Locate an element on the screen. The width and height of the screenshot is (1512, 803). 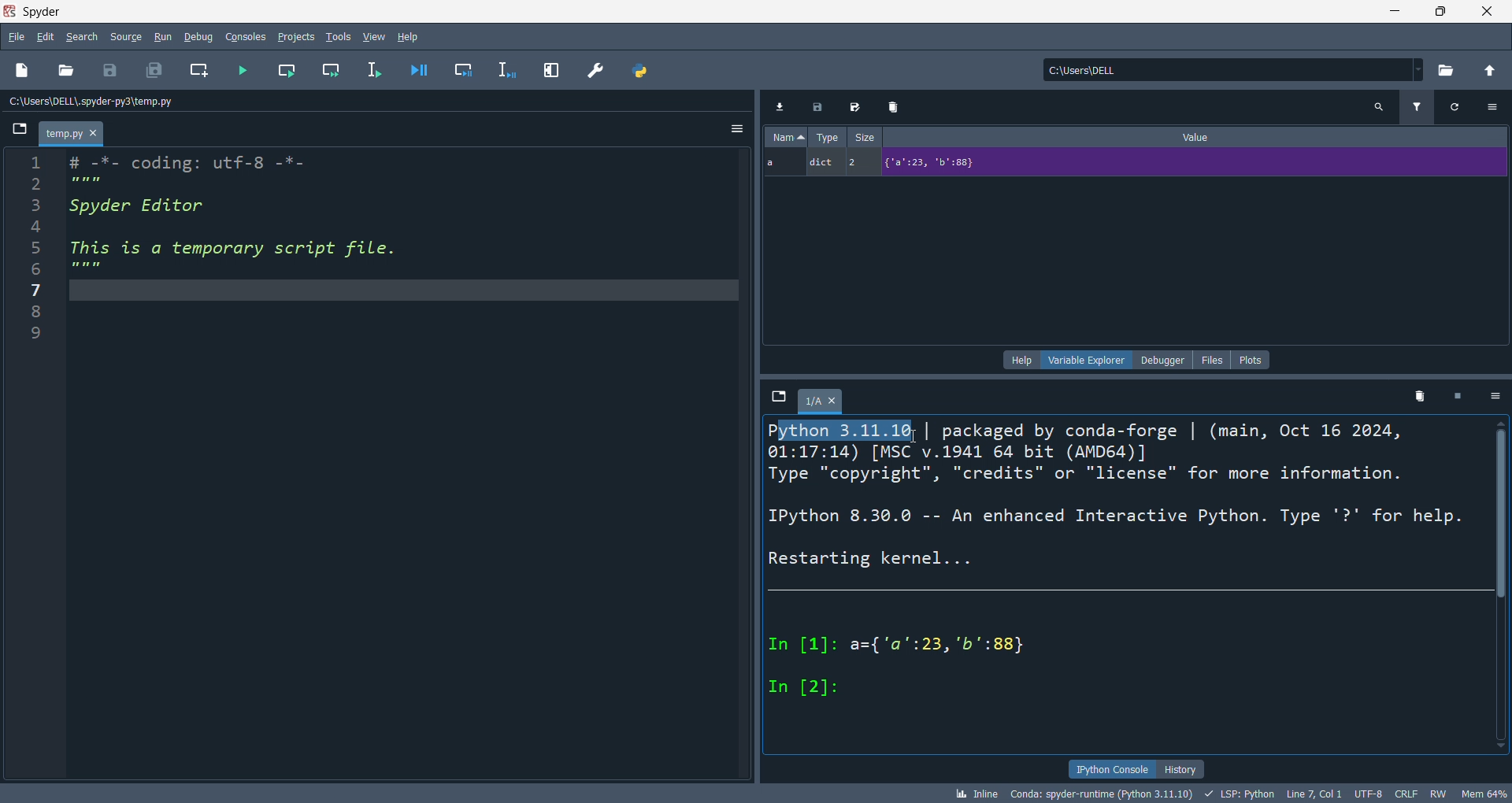
savedata as is located at coordinates (858, 105).